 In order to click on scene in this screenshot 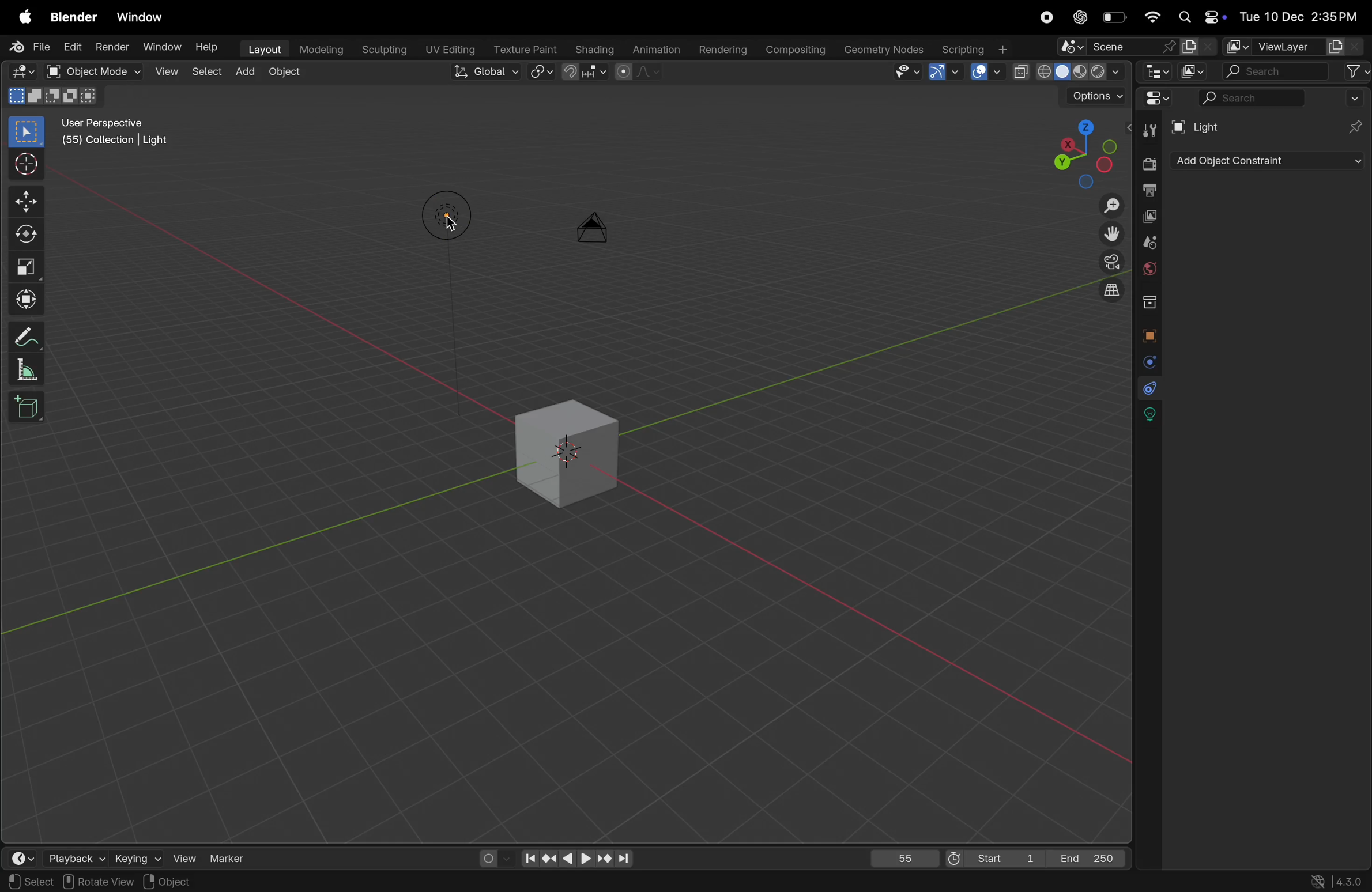, I will do `click(1136, 47)`.